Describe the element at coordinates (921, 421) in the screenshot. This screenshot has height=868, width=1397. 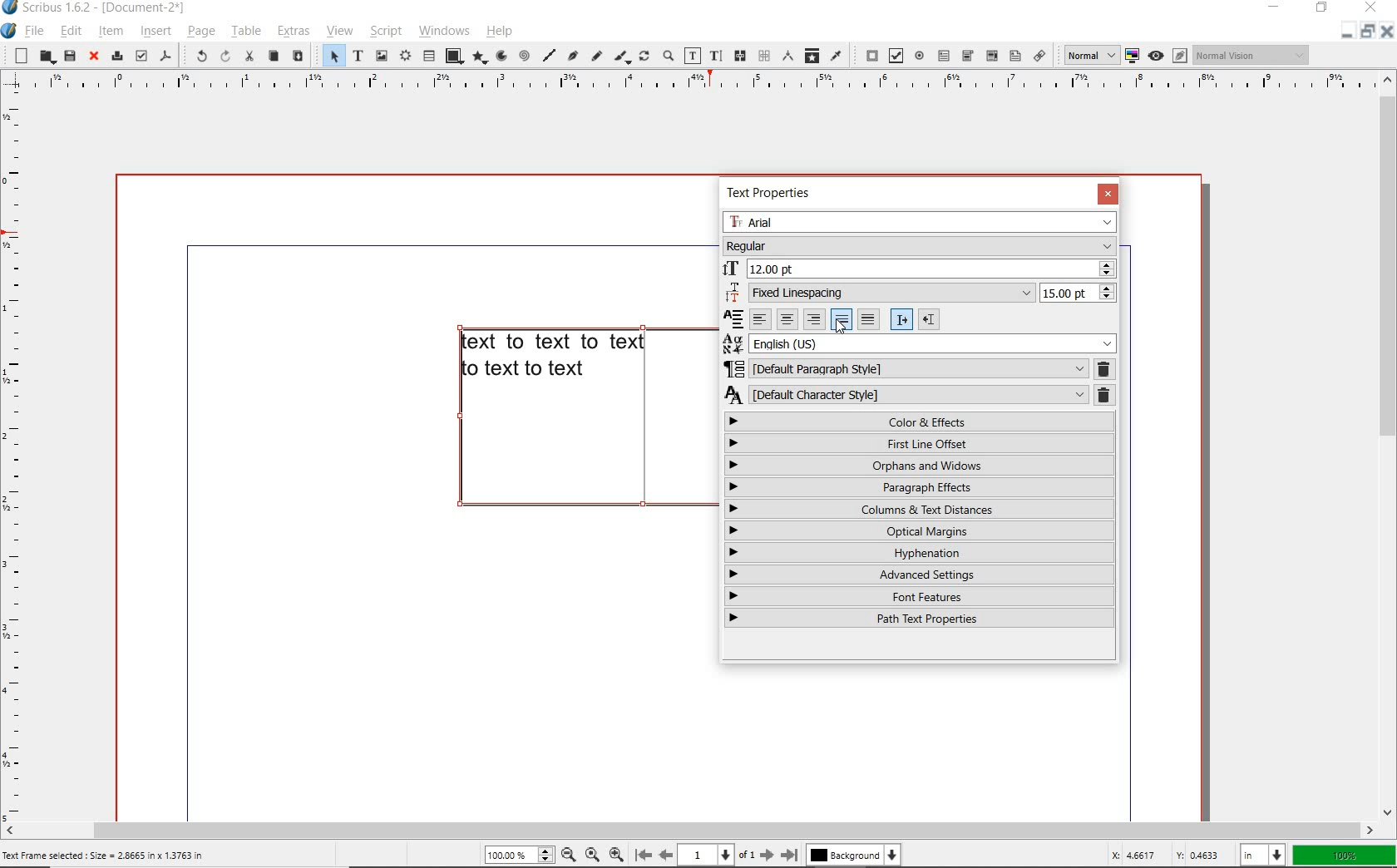
I see `COLOR & EFFECTS` at that location.